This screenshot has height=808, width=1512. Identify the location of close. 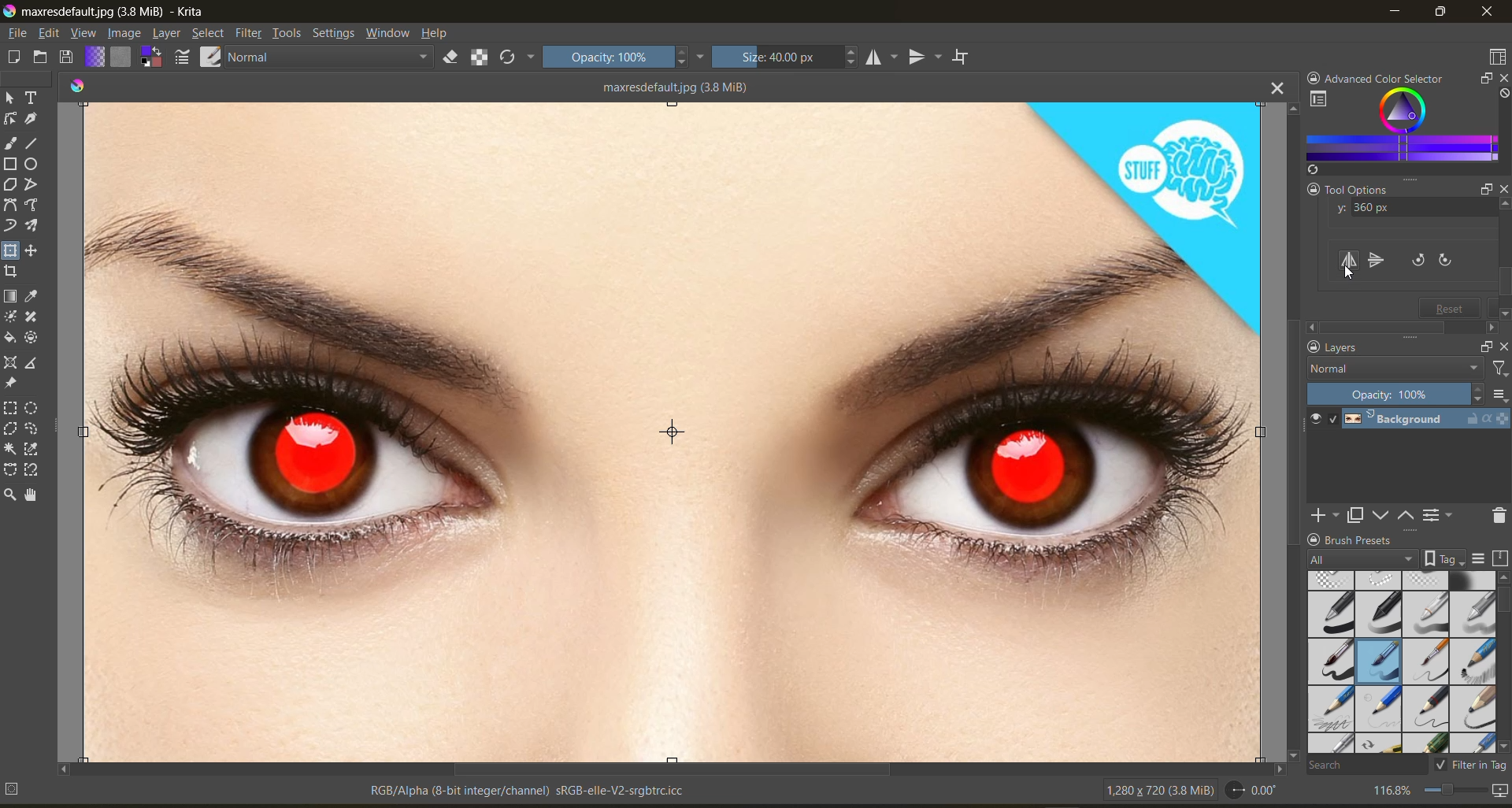
(1503, 190).